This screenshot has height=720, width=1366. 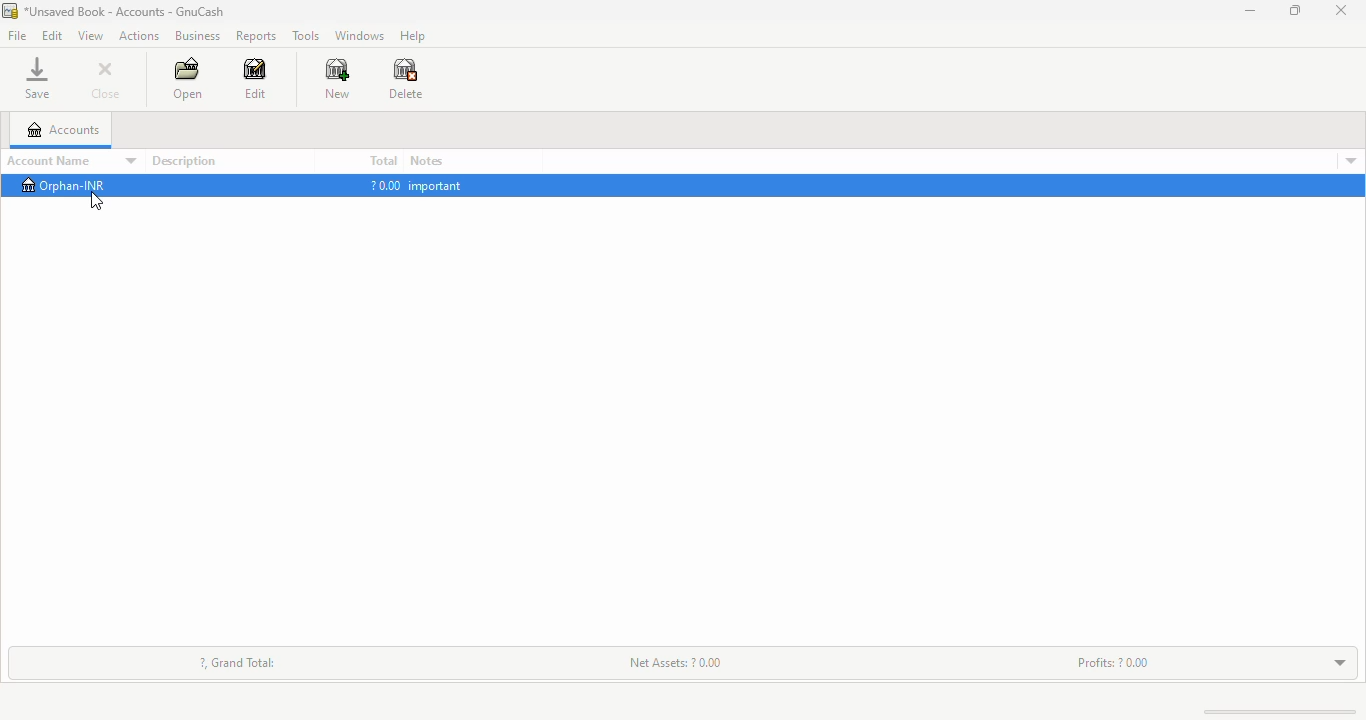 I want to click on account name, so click(x=73, y=161).